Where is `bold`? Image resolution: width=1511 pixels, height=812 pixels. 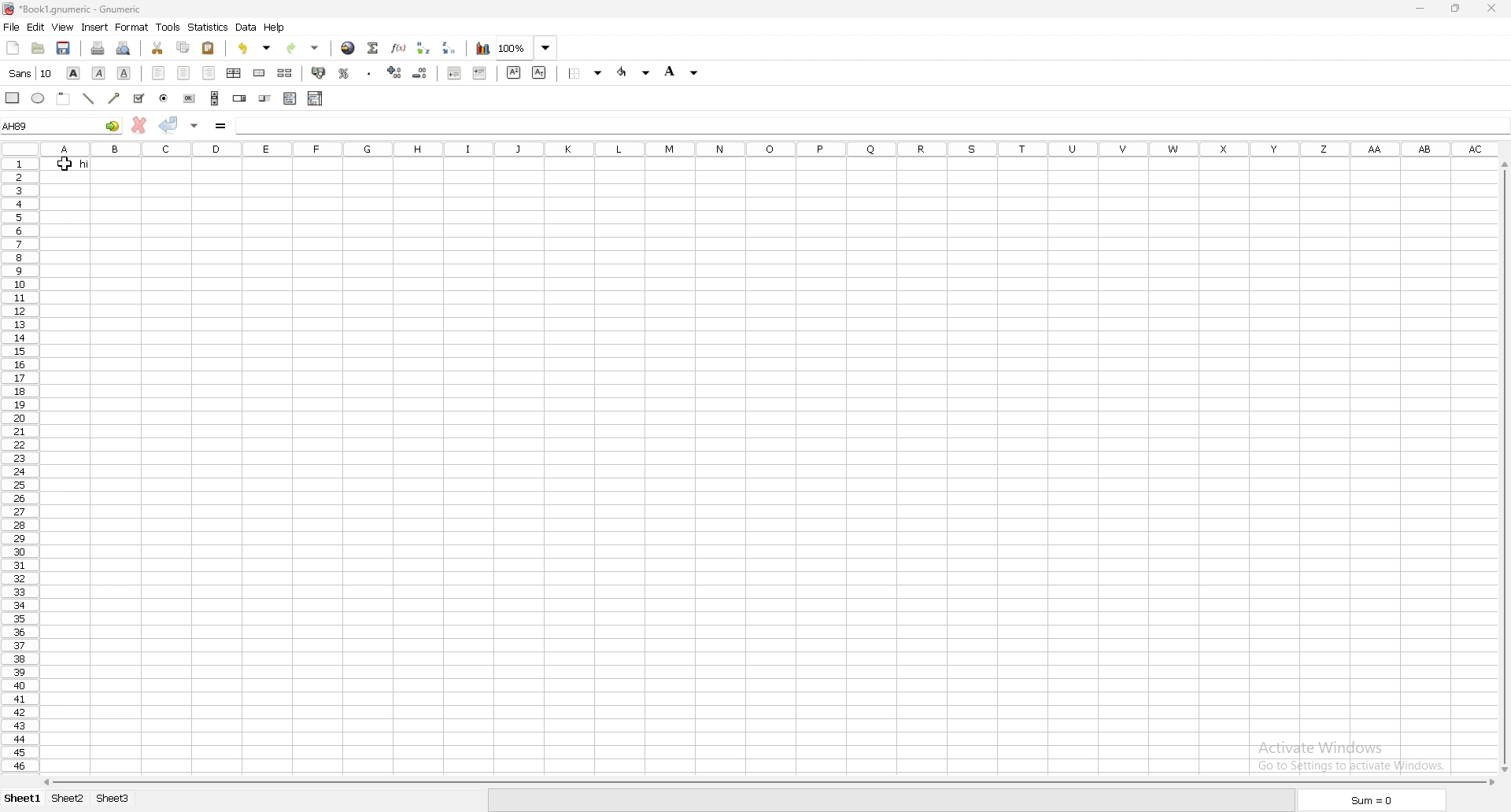
bold is located at coordinates (73, 72).